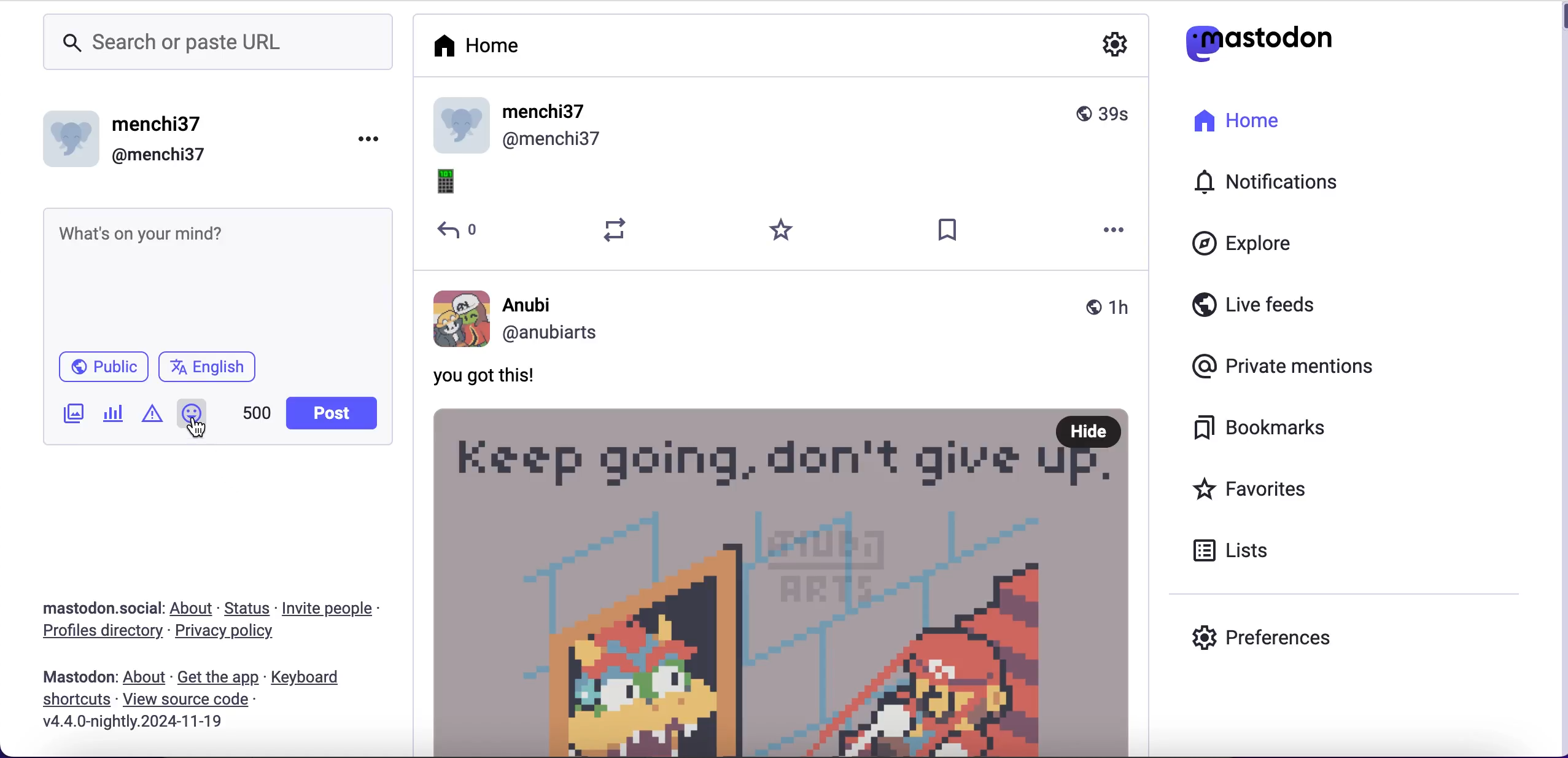 The image size is (1568, 758). What do you see at coordinates (258, 414) in the screenshot?
I see `characters` at bounding box center [258, 414].